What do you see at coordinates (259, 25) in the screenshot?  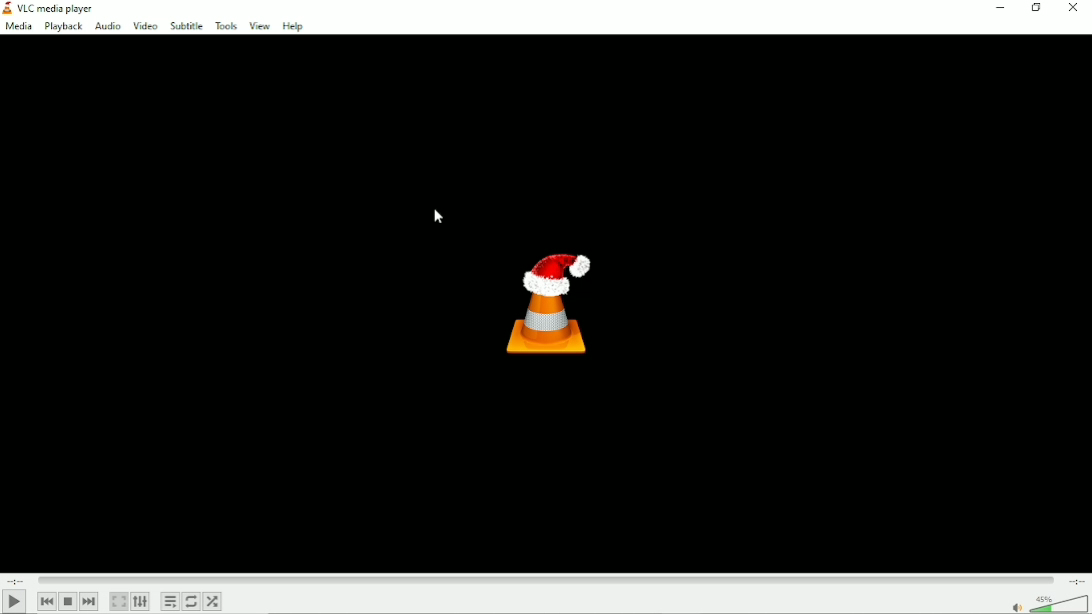 I see `View` at bounding box center [259, 25].